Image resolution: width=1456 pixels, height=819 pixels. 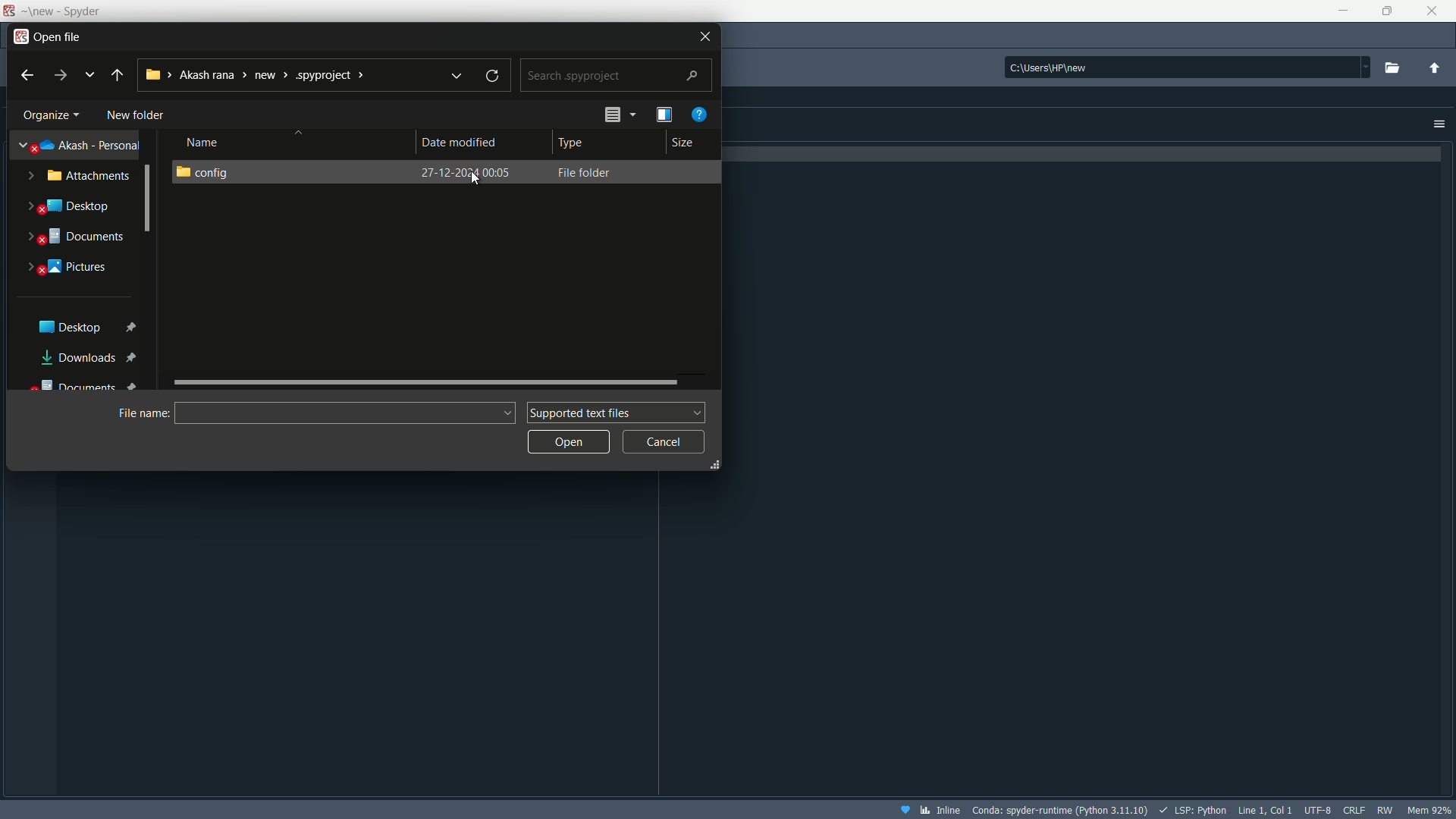 What do you see at coordinates (429, 381) in the screenshot?
I see `scroll bar` at bounding box center [429, 381].